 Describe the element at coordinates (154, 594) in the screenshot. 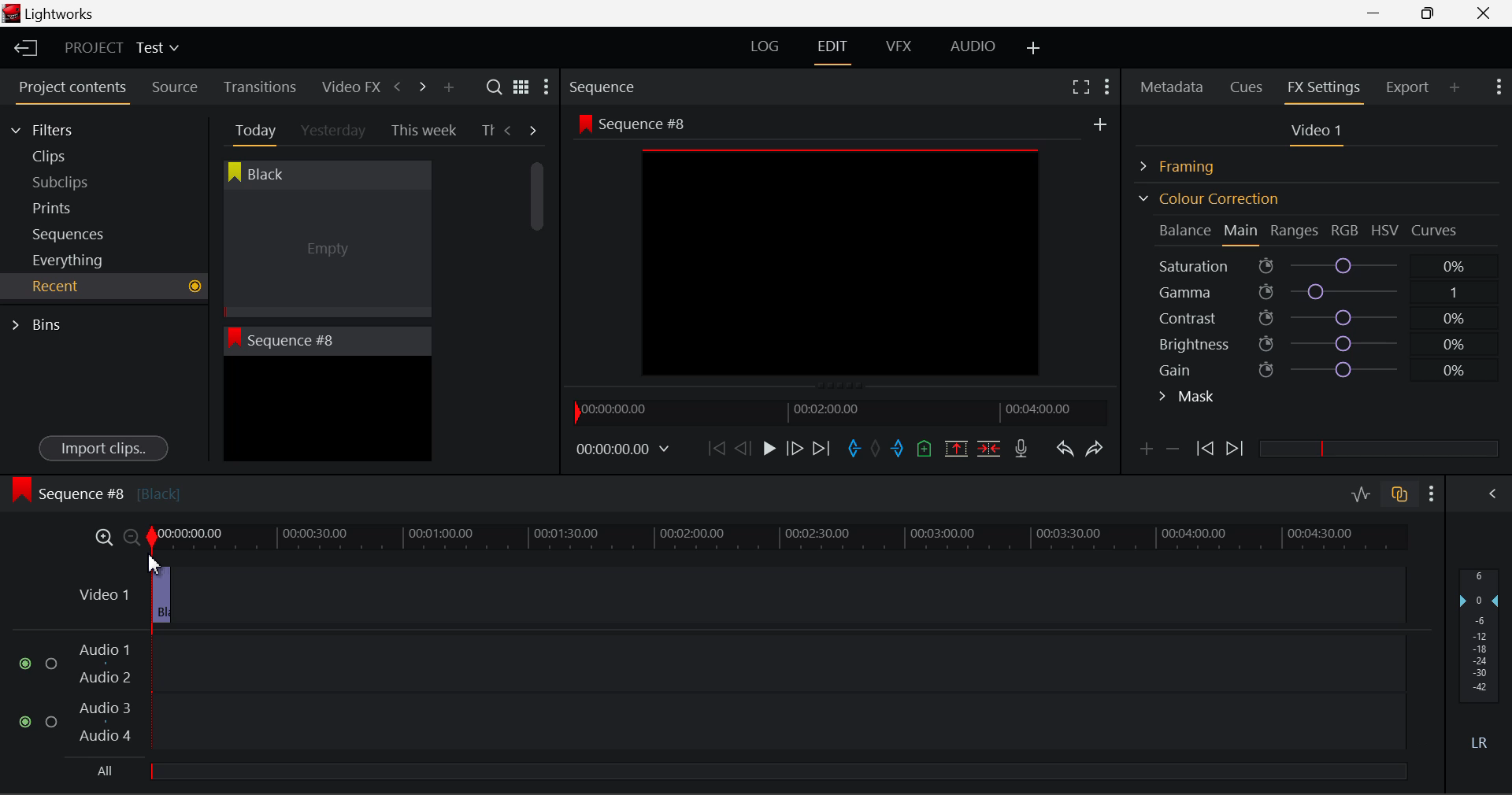

I see `Clip 1 Segment` at that location.